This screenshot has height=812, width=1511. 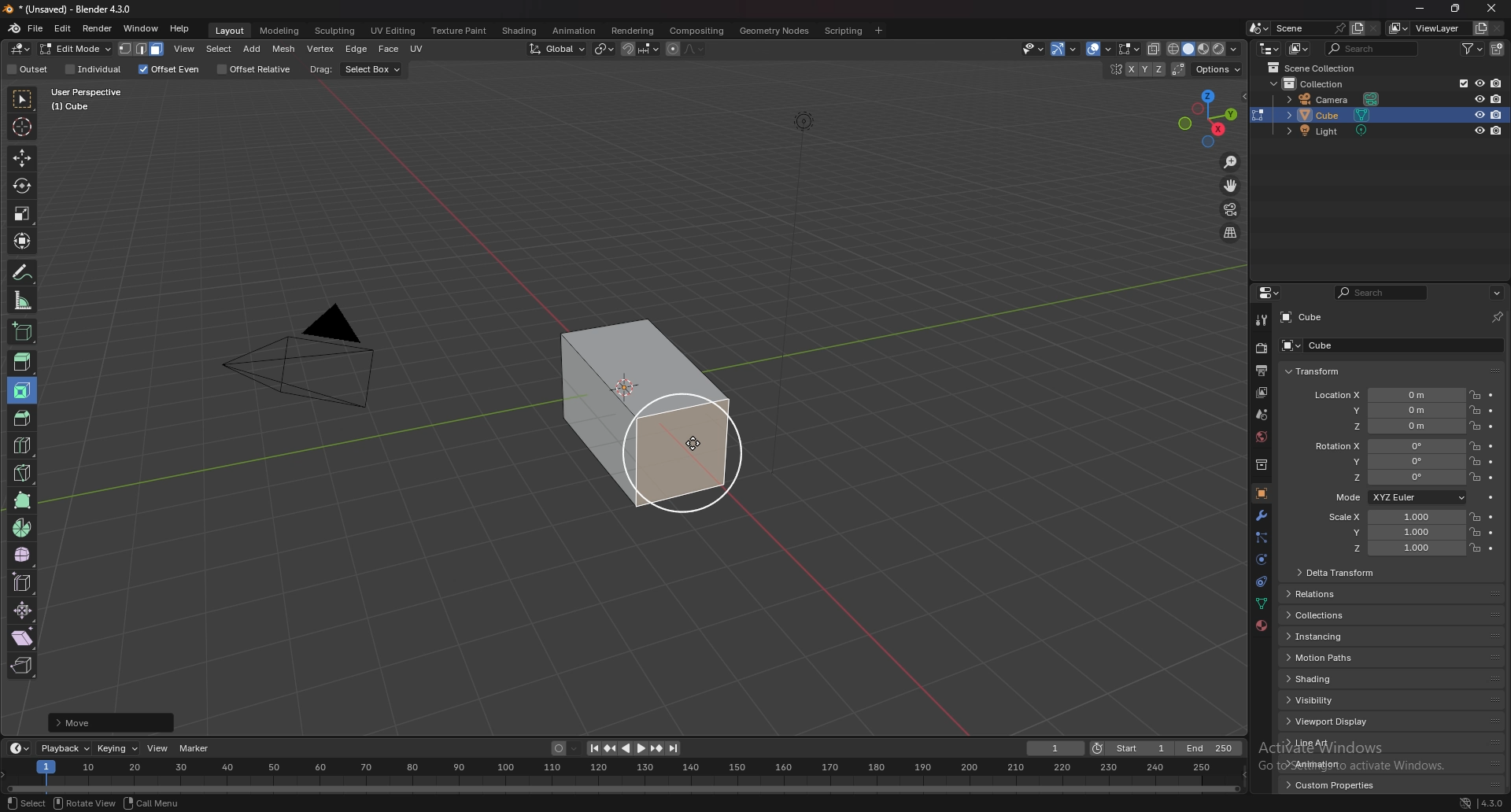 What do you see at coordinates (1299, 48) in the screenshot?
I see `display mode` at bounding box center [1299, 48].